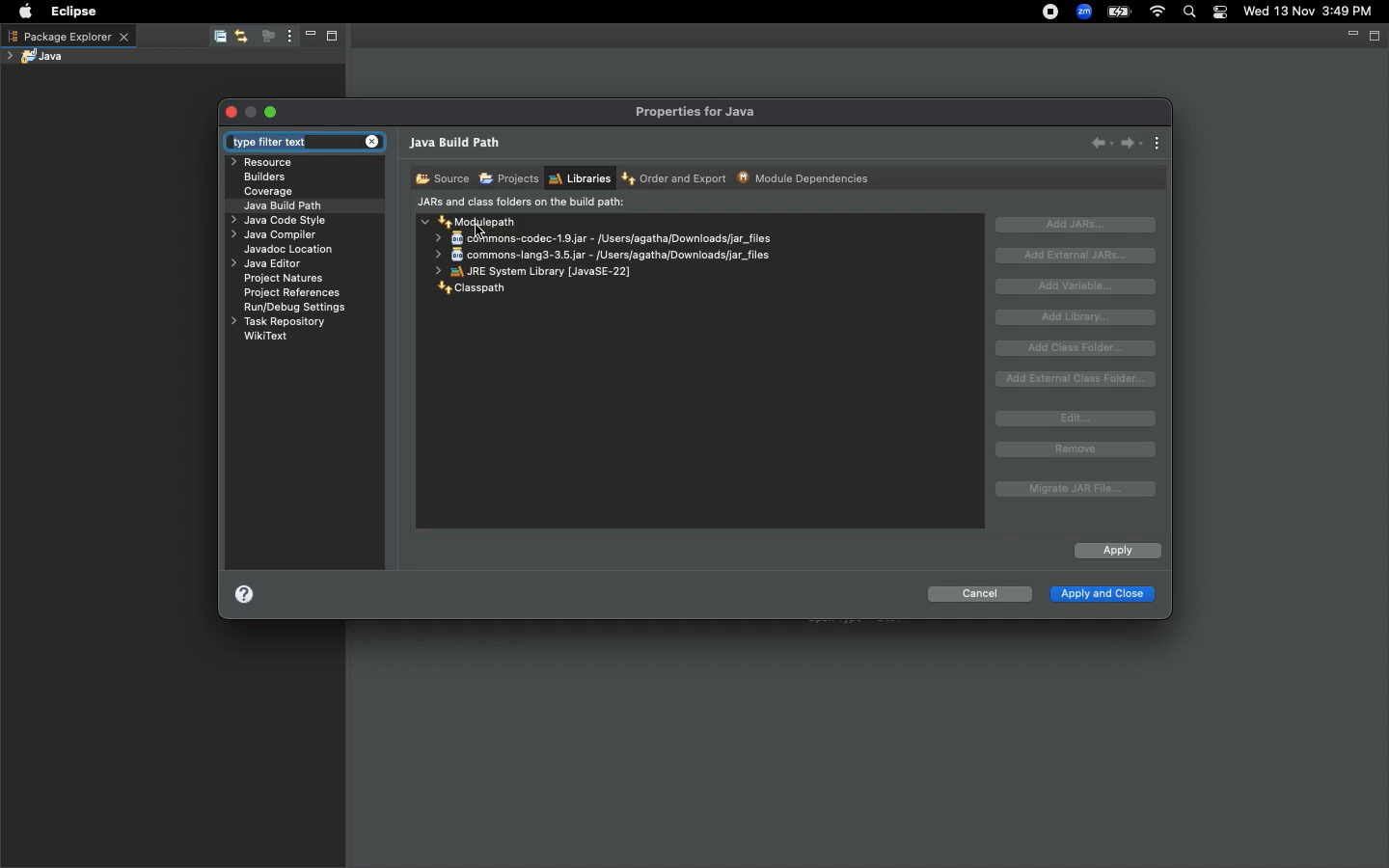 Image resolution: width=1389 pixels, height=868 pixels. What do you see at coordinates (1077, 348) in the screenshot?
I see `Add class folder` at bounding box center [1077, 348].